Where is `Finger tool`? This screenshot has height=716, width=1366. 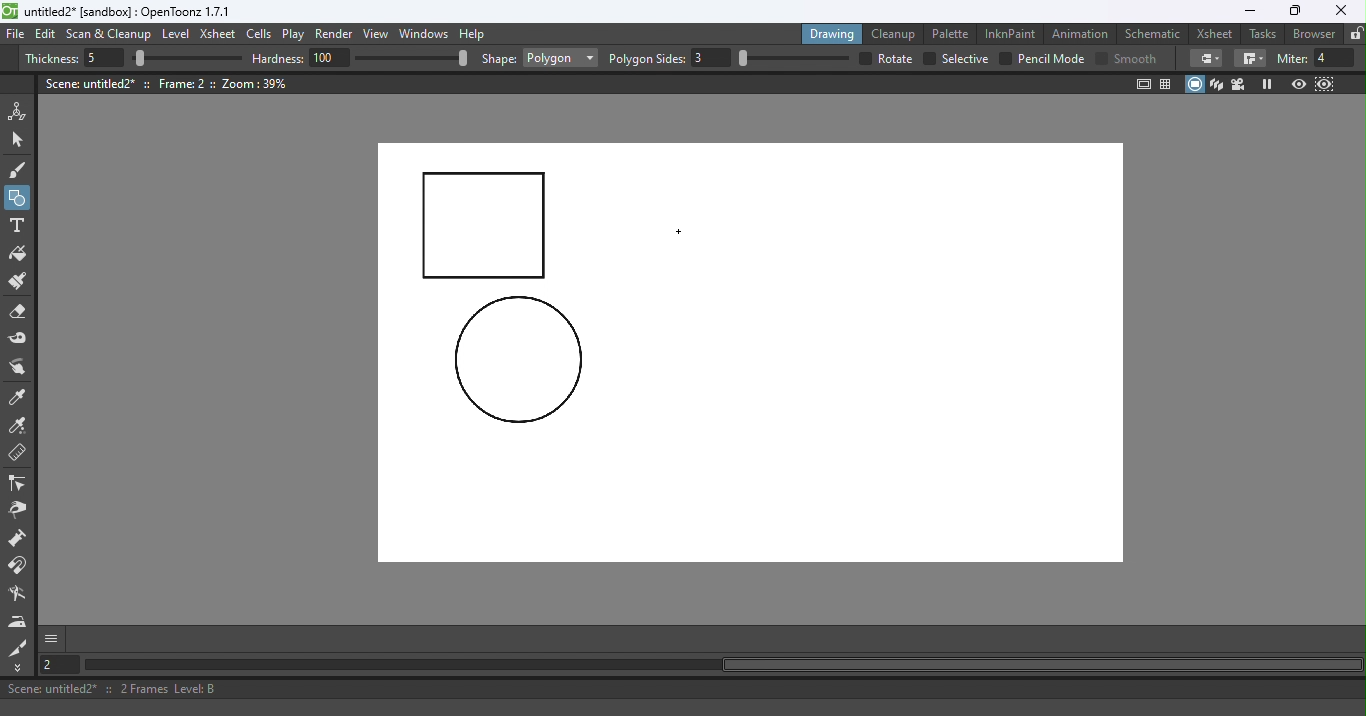
Finger tool is located at coordinates (18, 369).